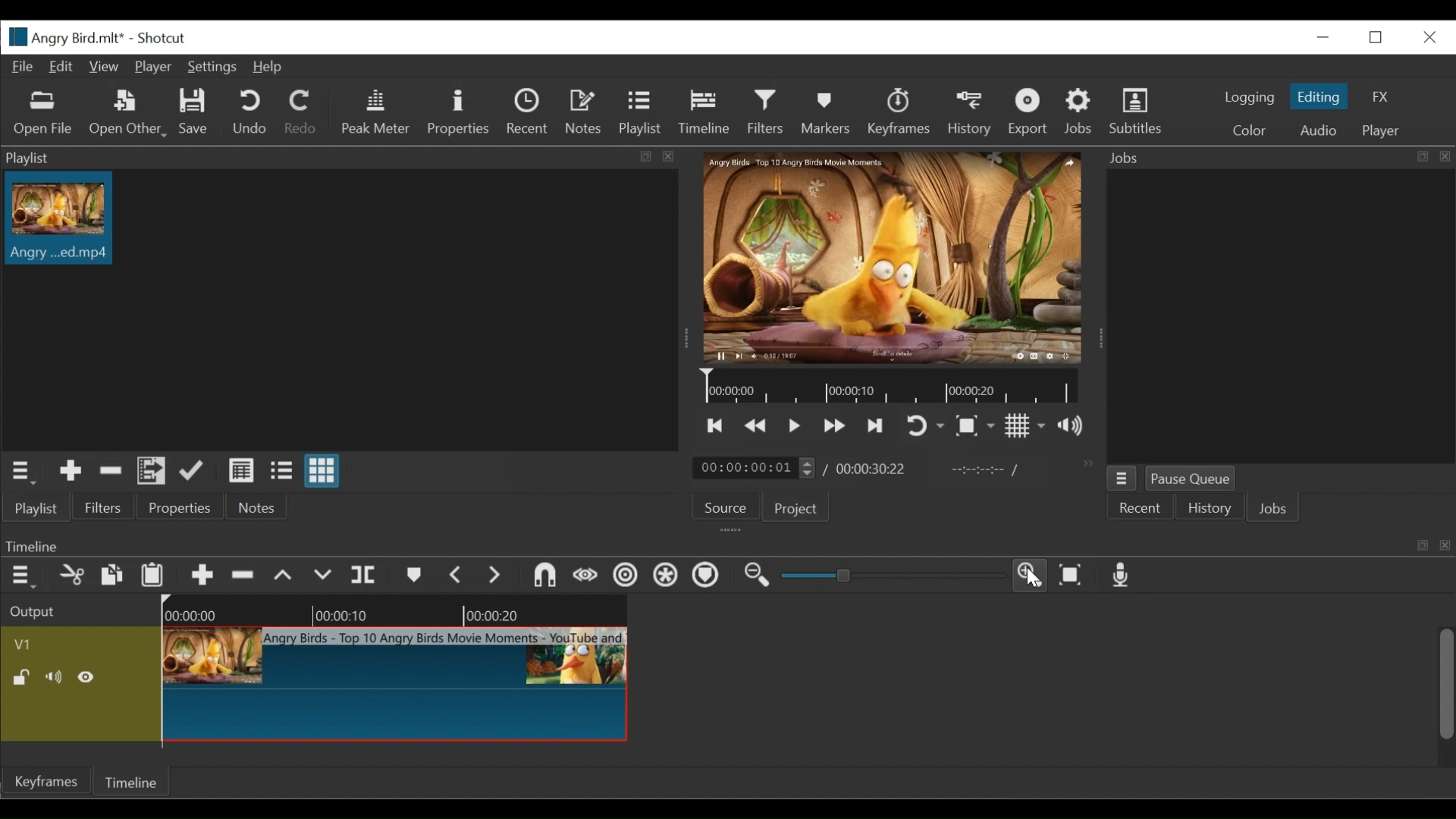 The height and width of the screenshot is (819, 1456). What do you see at coordinates (21, 678) in the screenshot?
I see `(un)lock track` at bounding box center [21, 678].